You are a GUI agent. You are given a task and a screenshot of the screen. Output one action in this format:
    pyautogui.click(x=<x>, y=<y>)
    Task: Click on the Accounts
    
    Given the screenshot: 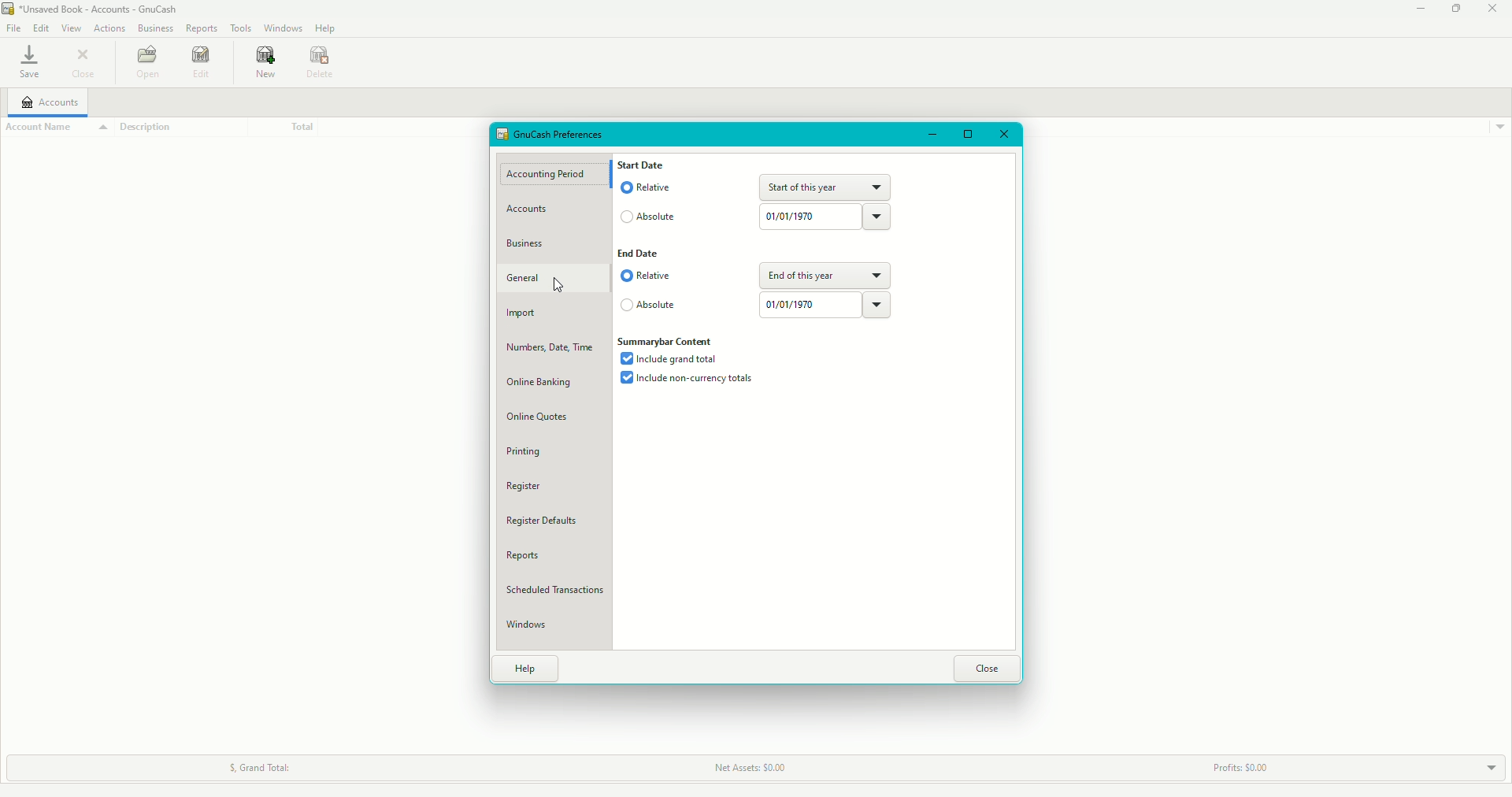 What is the action you would take?
    pyautogui.click(x=531, y=209)
    